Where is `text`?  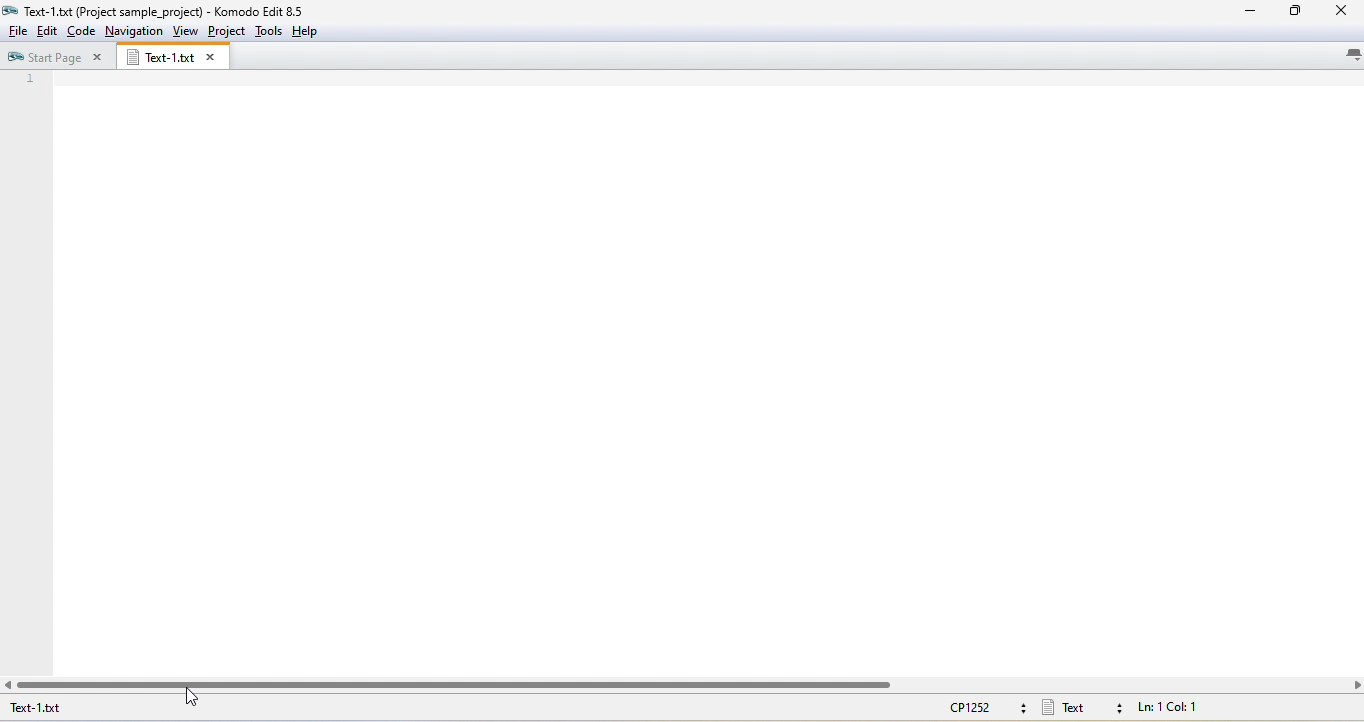 text is located at coordinates (1083, 707).